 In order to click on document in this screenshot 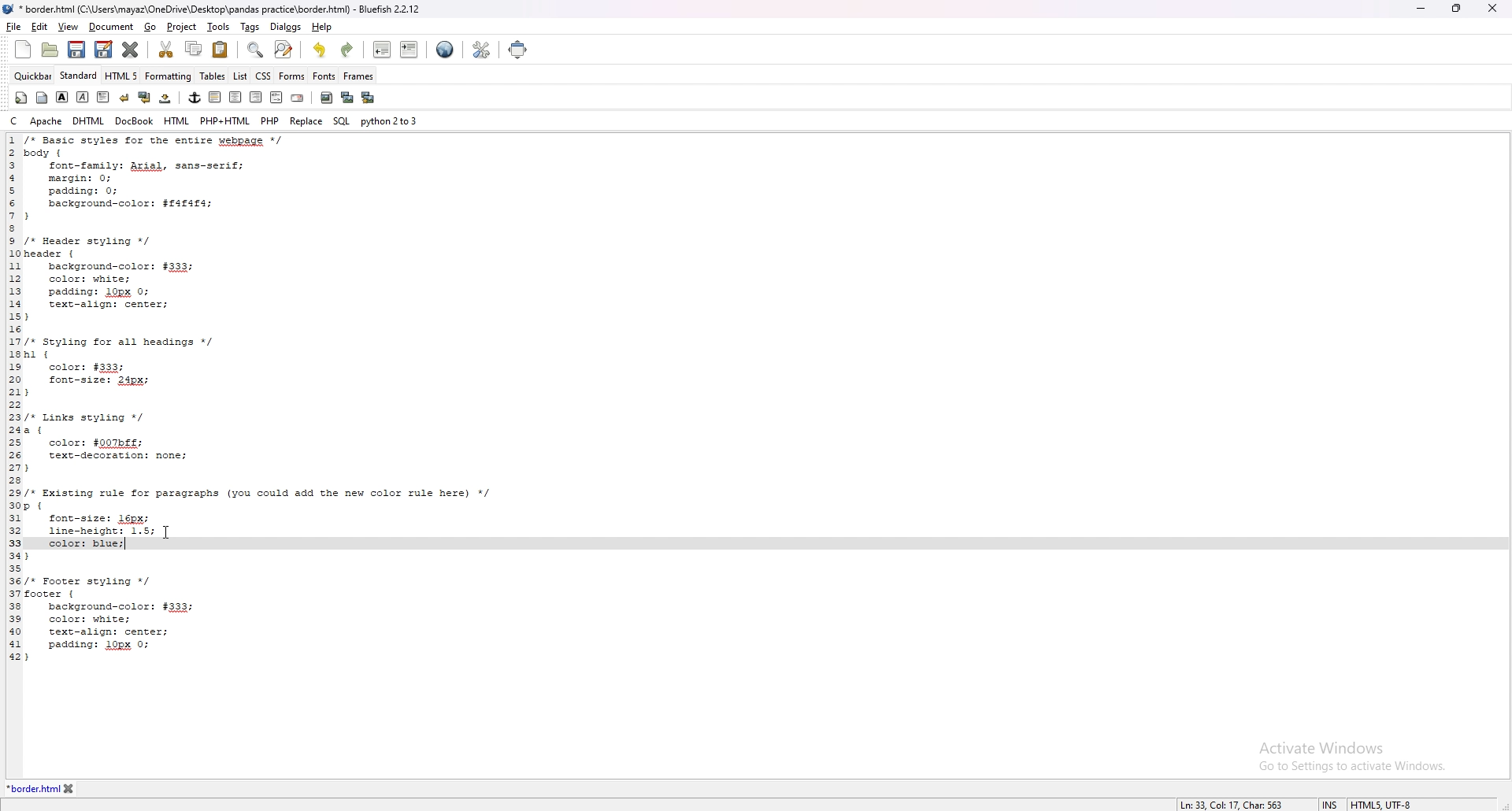, I will do `click(110, 28)`.